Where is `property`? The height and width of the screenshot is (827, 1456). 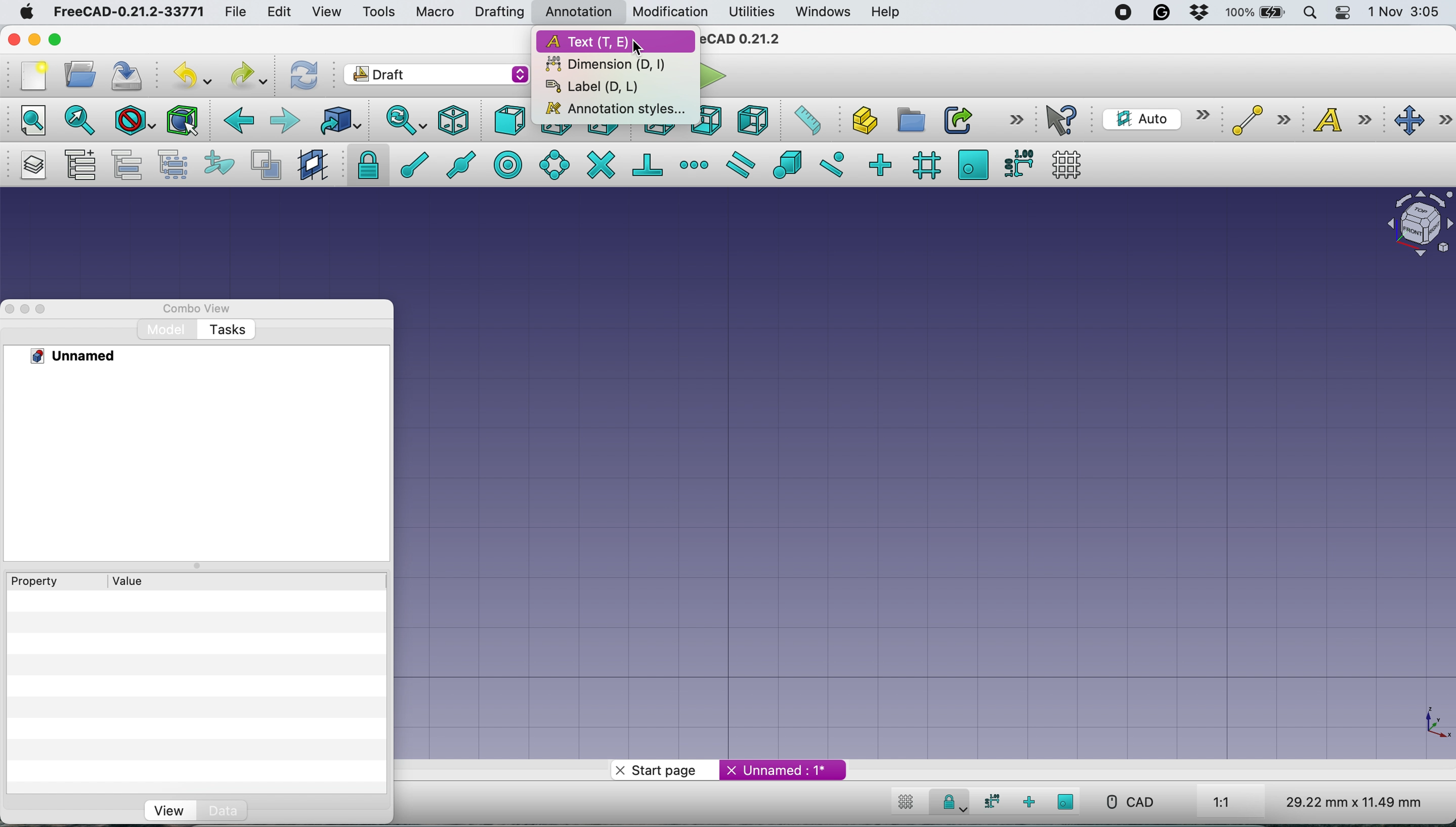 property is located at coordinates (38, 582).